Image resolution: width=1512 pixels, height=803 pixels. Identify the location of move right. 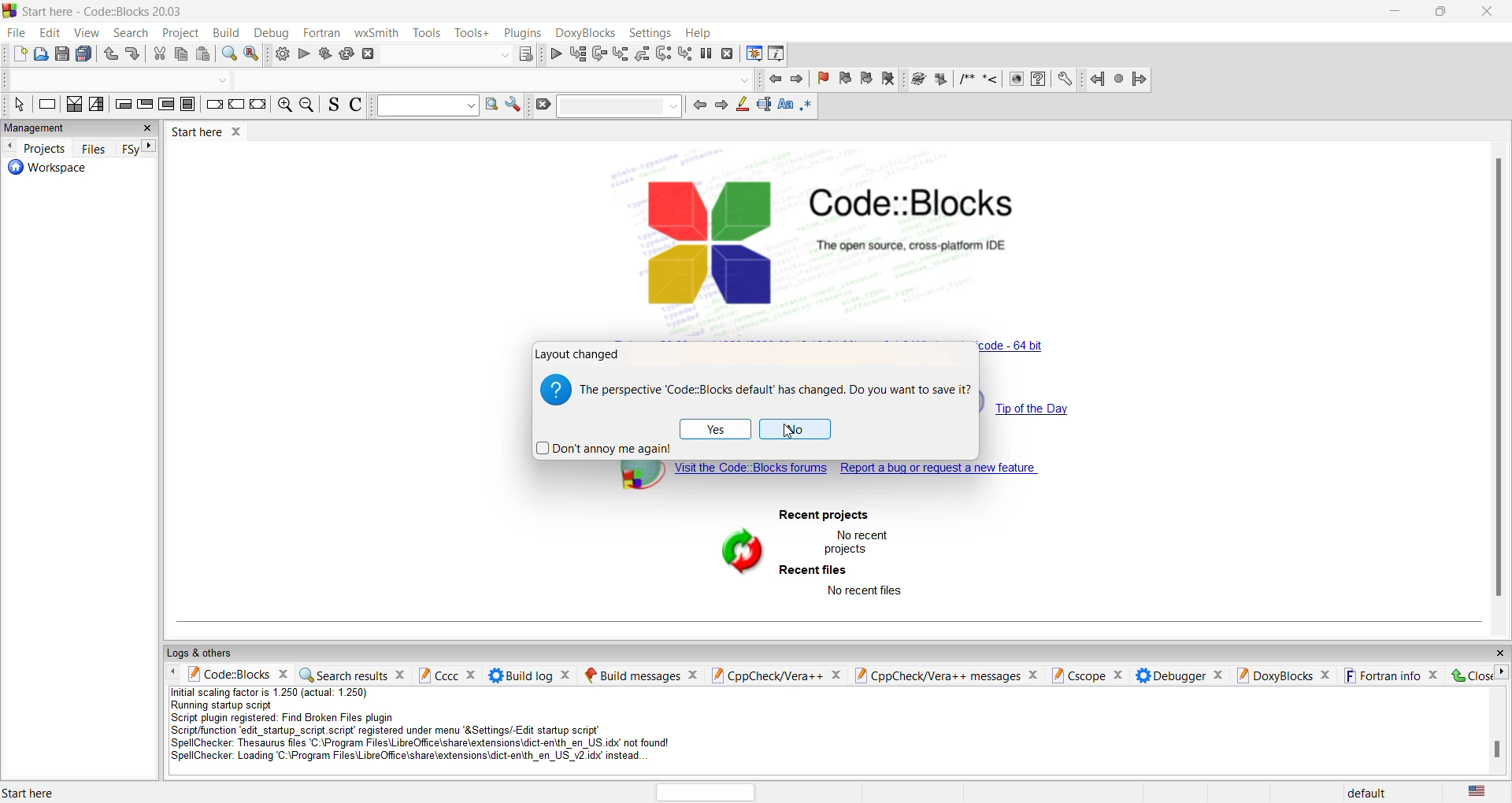
(153, 146).